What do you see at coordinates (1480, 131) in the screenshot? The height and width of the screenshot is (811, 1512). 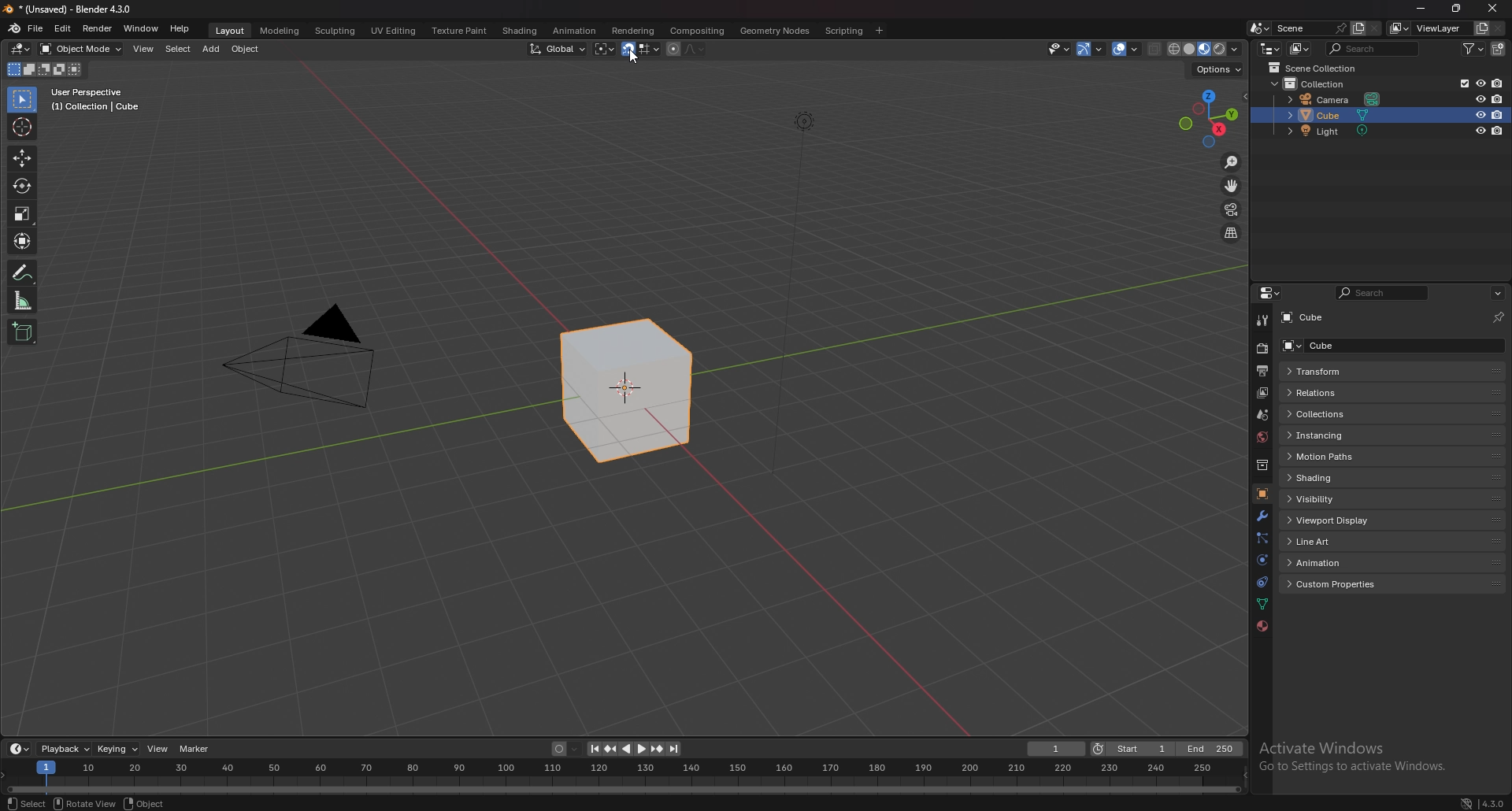 I see `hide in viewport` at bounding box center [1480, 131].